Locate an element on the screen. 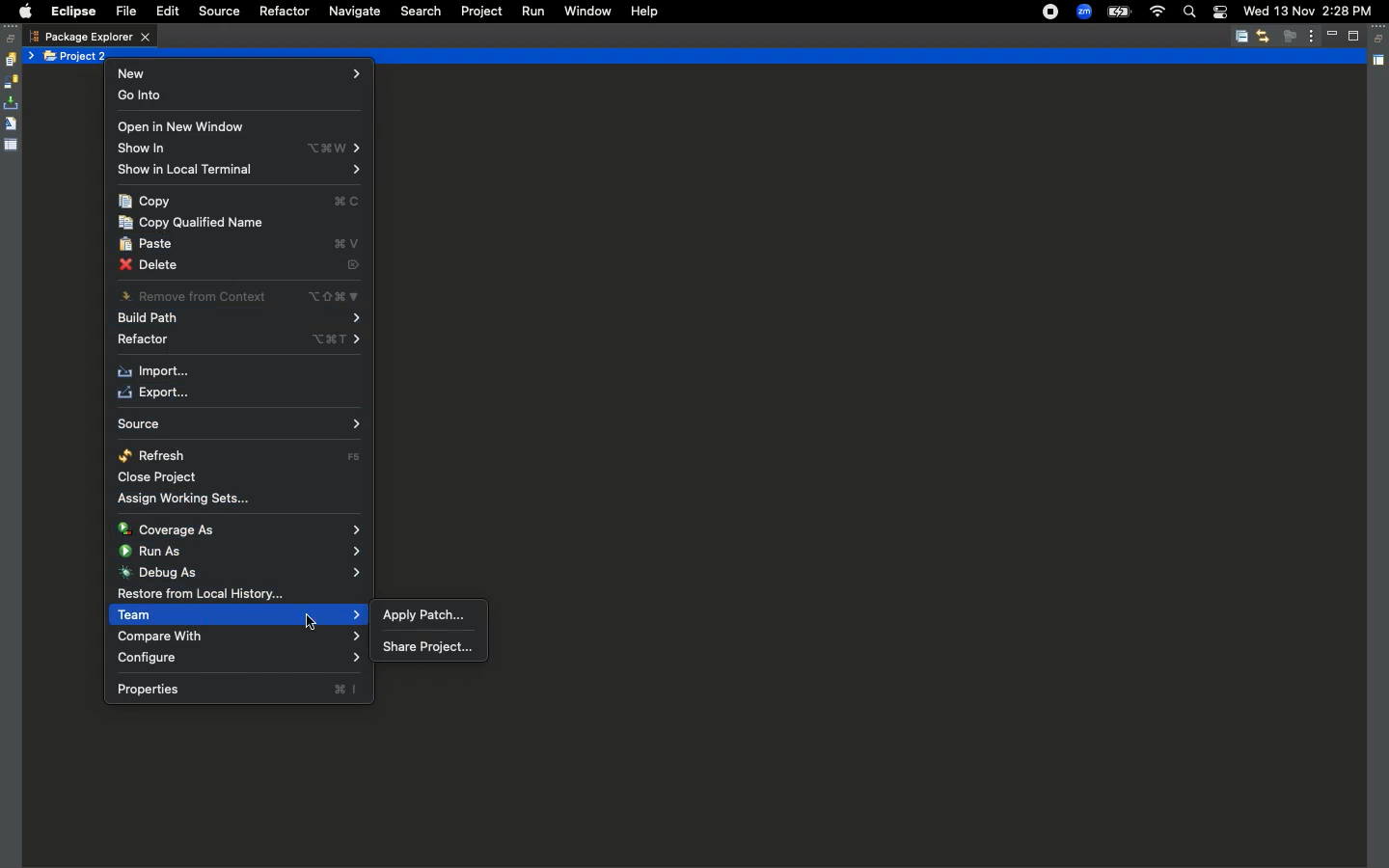 The width and height of the screenshot is (1389, 868). Window is located at coordinates (586, 10).